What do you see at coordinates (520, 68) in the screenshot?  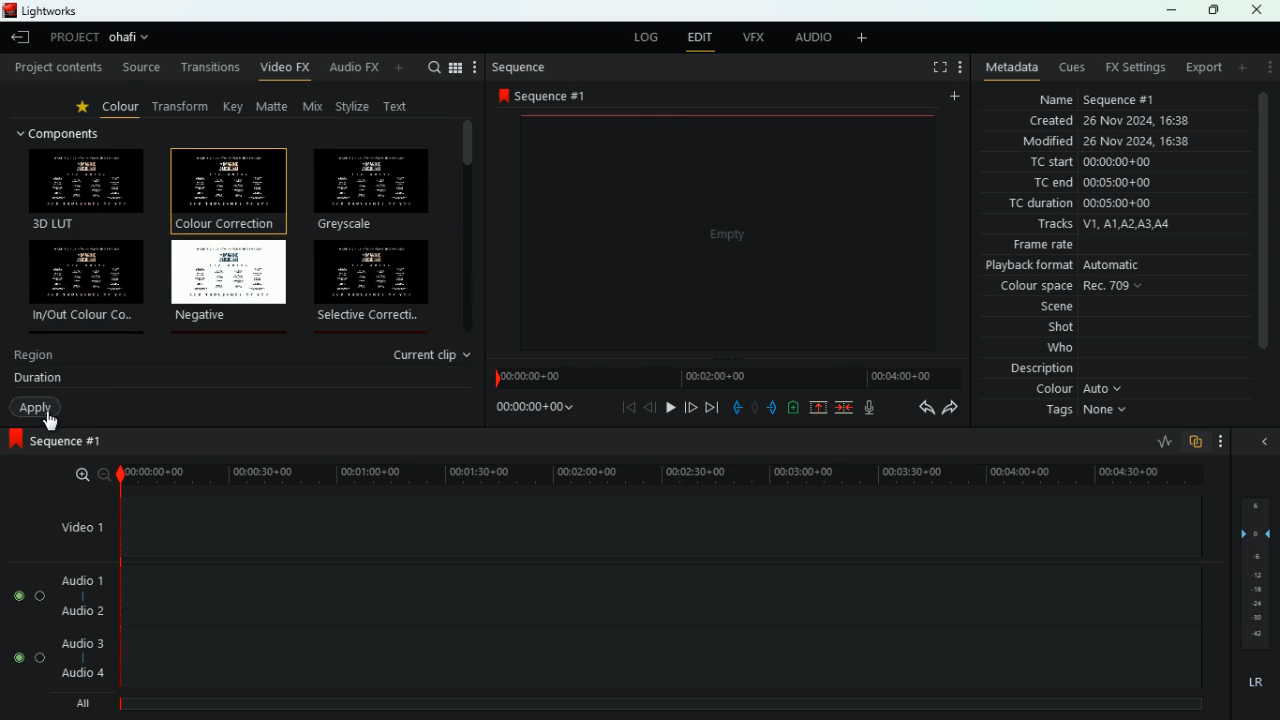 I see `sequence` at bounding box center [520, 68].